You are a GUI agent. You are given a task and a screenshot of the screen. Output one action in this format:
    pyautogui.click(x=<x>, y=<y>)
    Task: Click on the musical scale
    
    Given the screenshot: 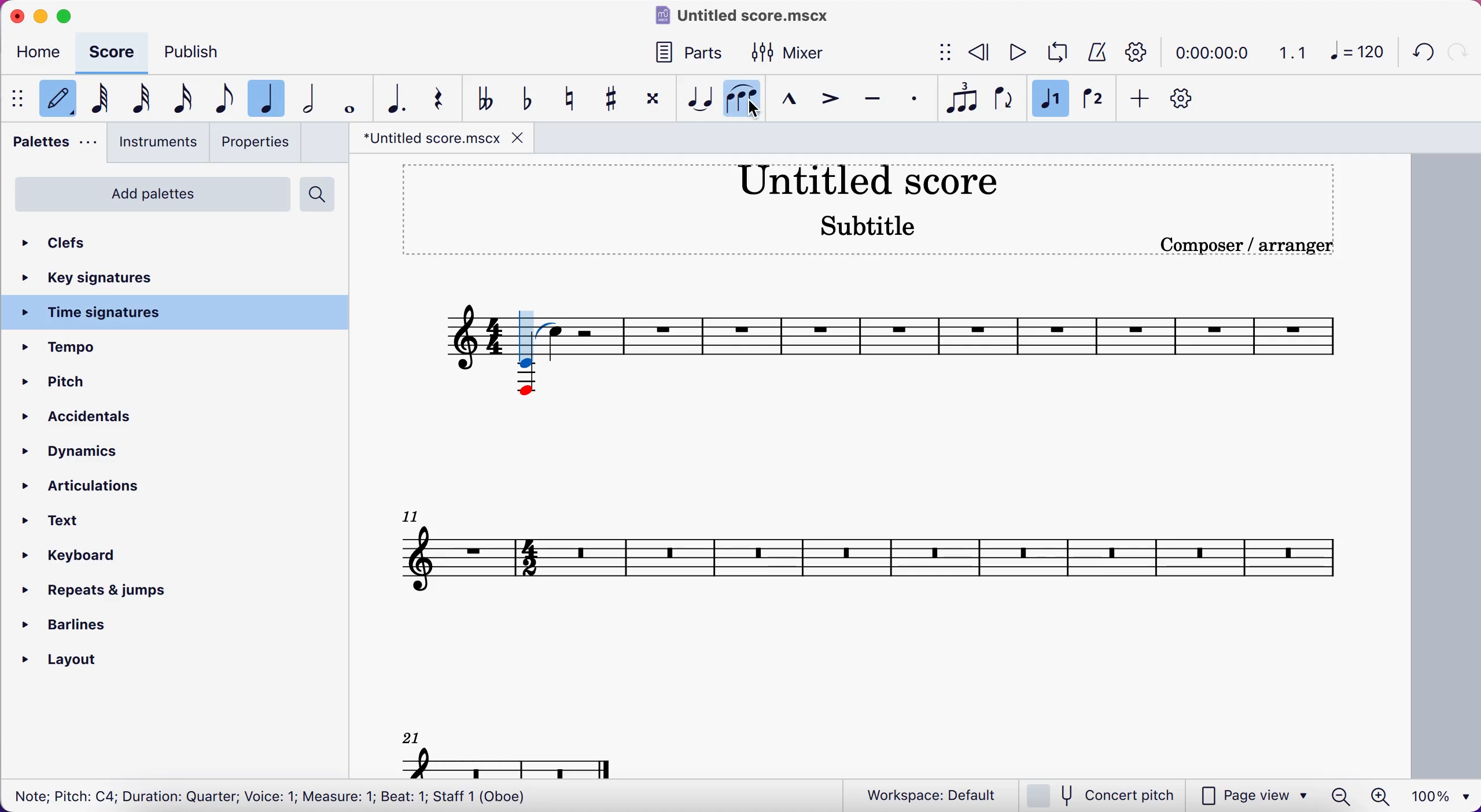 What is the action you would take?
    pyautogui.click(x=883, y=519)
    